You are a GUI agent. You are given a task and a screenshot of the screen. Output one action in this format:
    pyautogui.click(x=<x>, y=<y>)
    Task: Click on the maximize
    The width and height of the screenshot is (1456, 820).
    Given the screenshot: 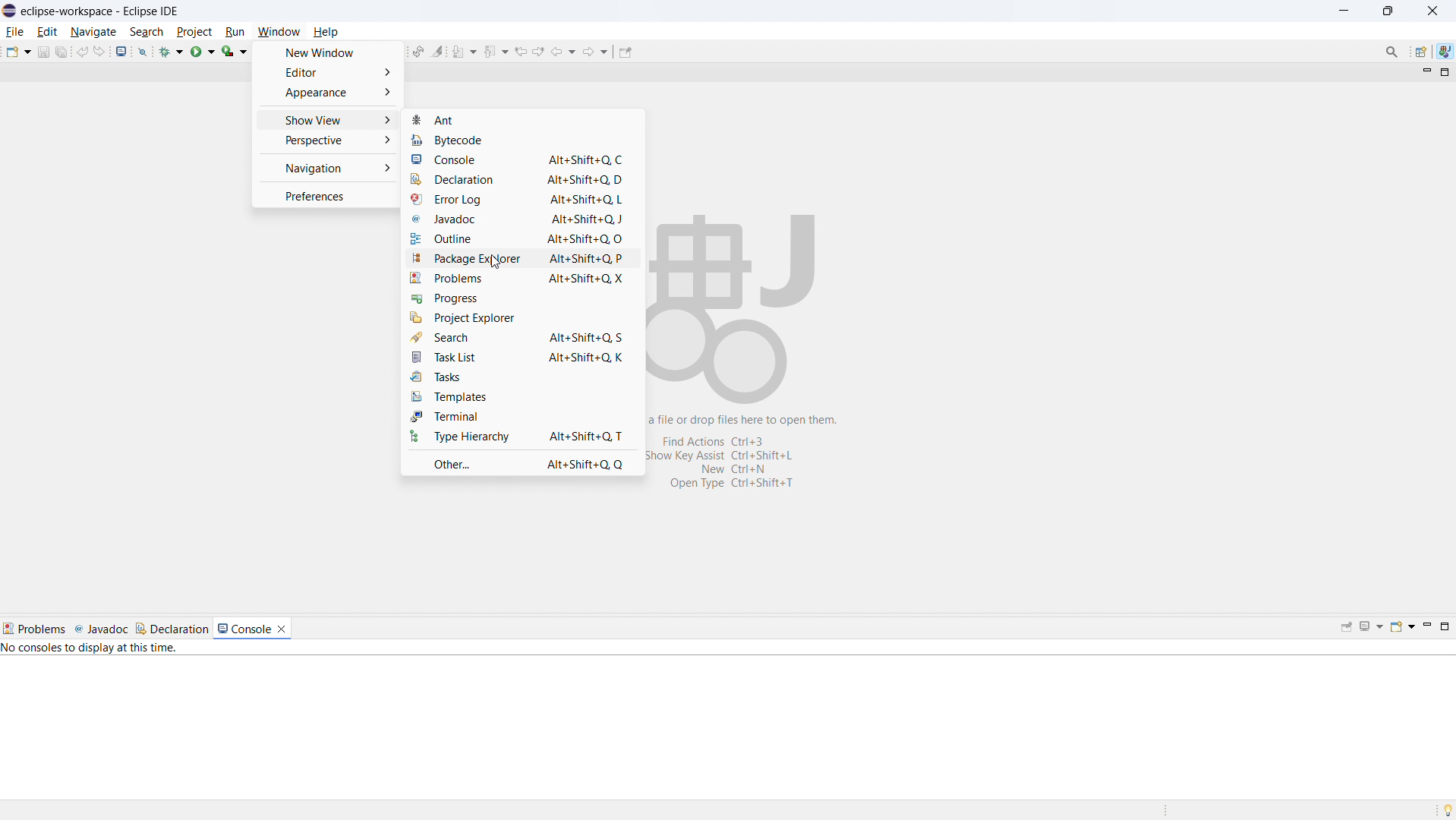 What is the action you would take?
    pyautogui.click(x=1445, y=628)
    